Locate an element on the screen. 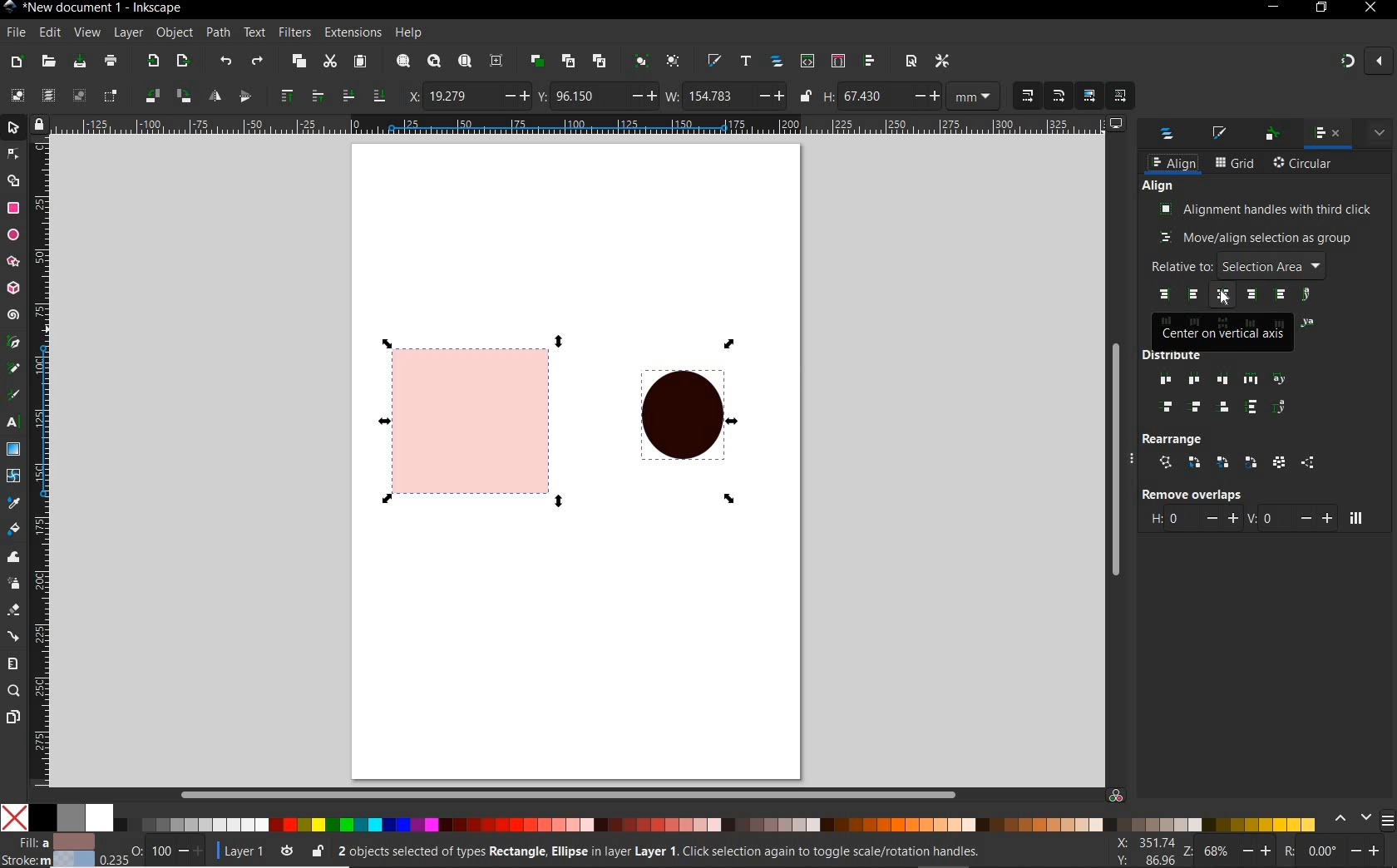 The width and height of the screenshot is (1397, 868). open xml editor is located at coordinates (807, 62).